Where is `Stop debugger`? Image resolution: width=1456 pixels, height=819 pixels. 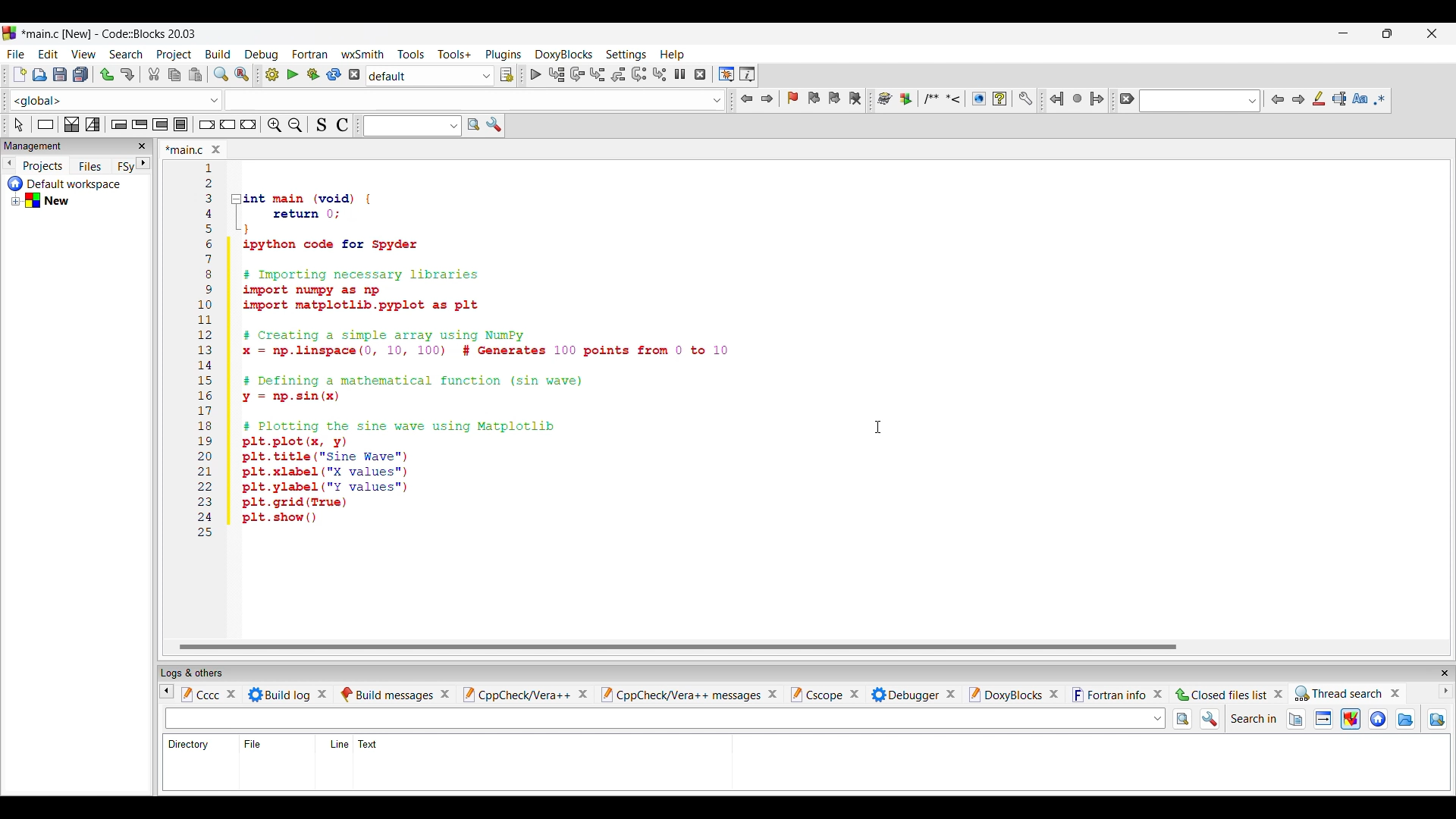 Stop debugger is located at coordinates (700, 74).